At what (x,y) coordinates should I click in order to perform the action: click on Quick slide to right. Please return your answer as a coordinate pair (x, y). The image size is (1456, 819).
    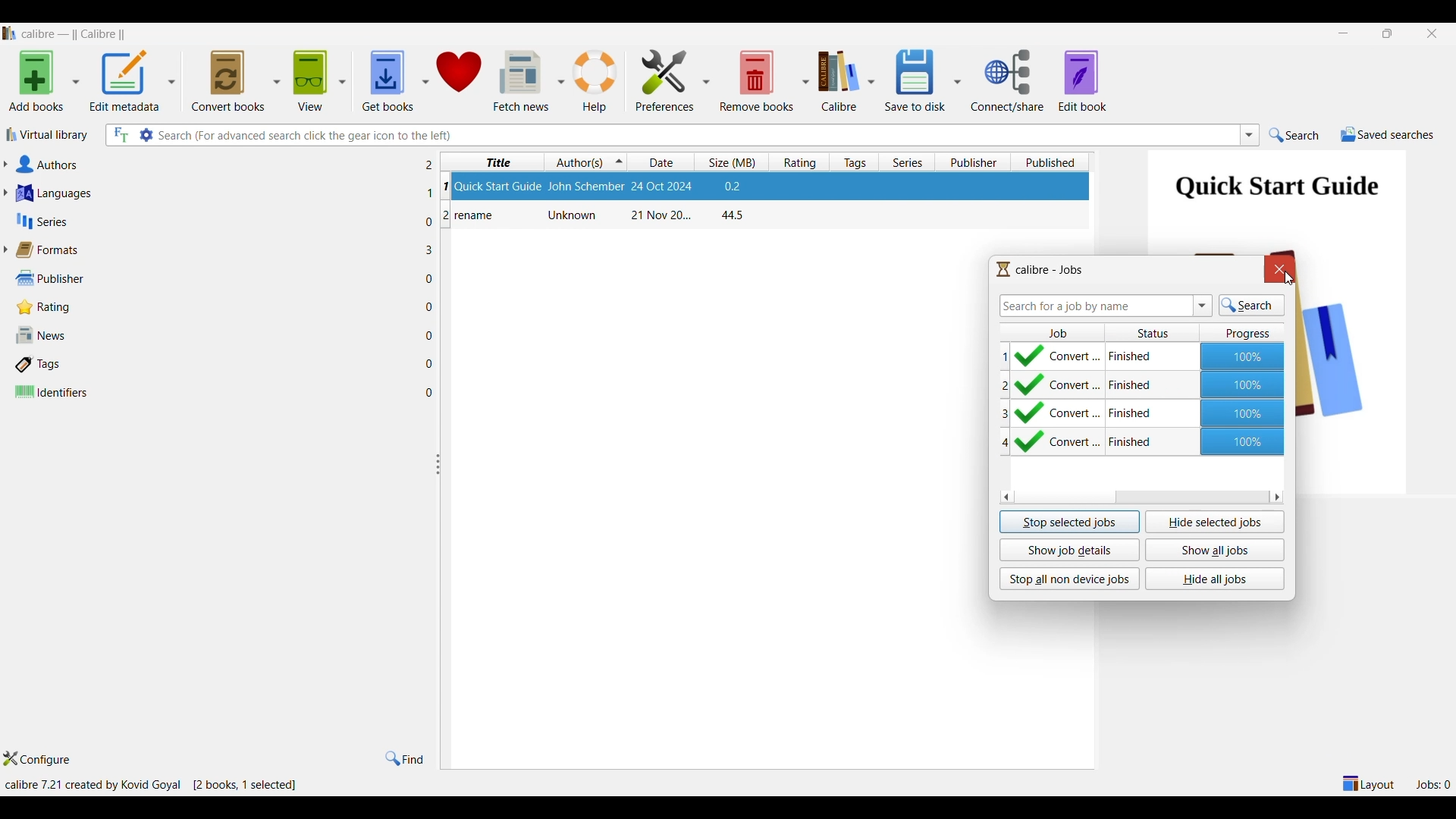
    Looking at the image, I should click on (1276, 497).